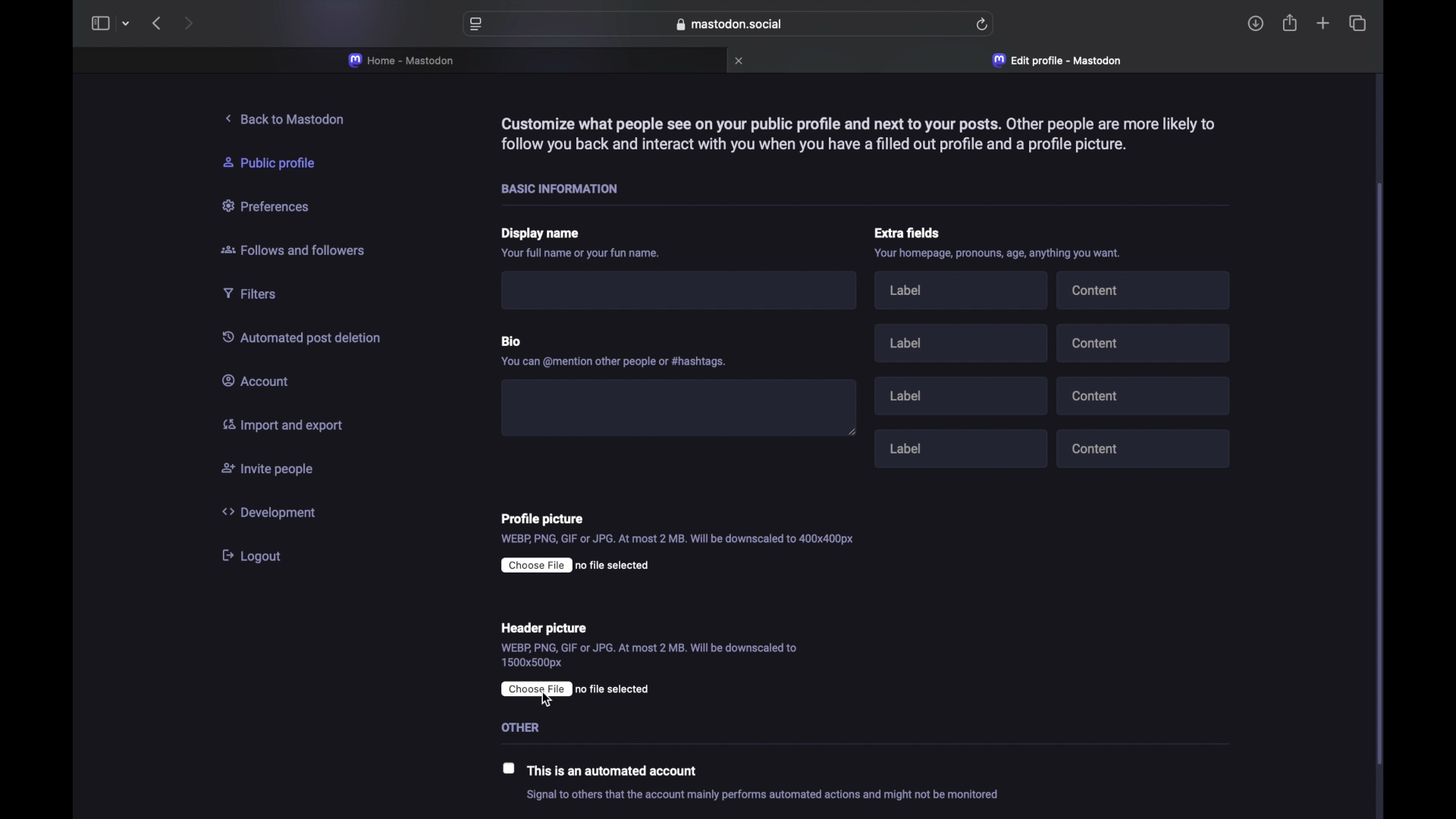 Image resolution: width=1456 pixels, height=819 pixels. What do you see at coordinates (278, 163) in the screenshot?
I see `public profile` at bounding box center [278, 163].